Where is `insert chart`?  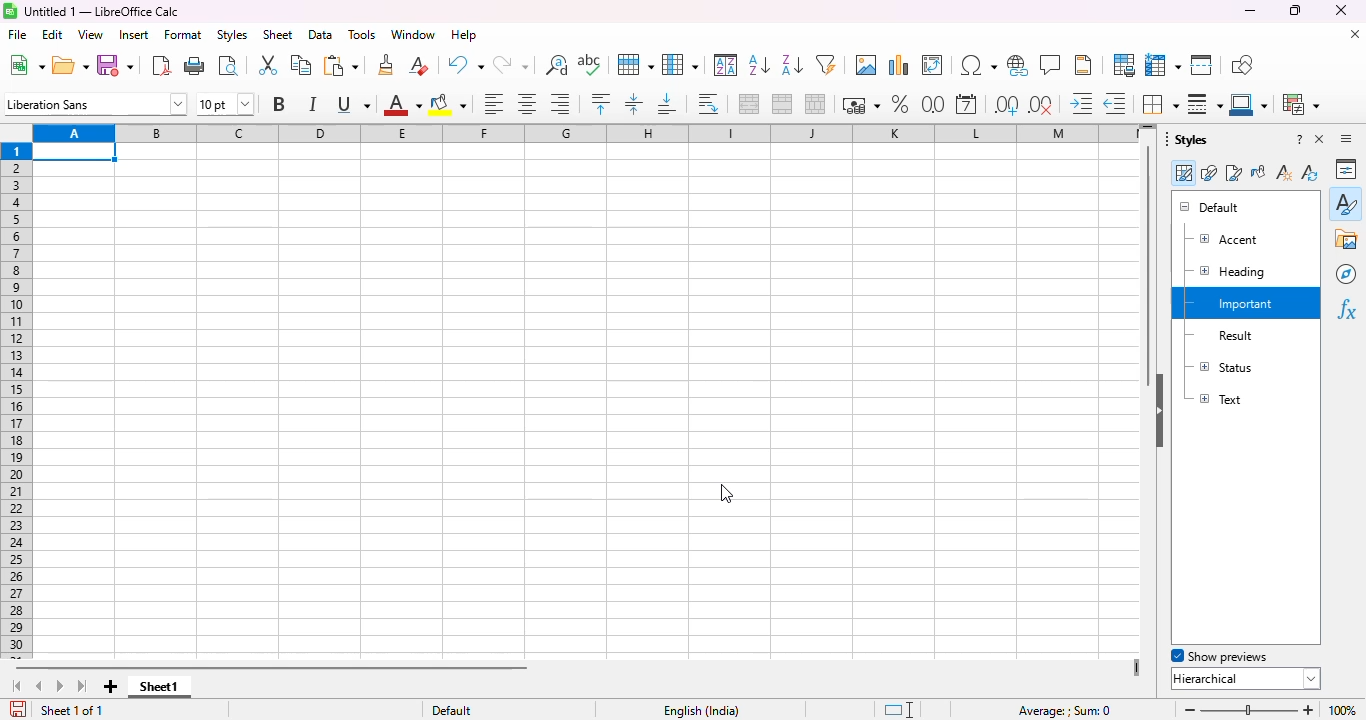 insert chart is located at coordinates (899, 65).